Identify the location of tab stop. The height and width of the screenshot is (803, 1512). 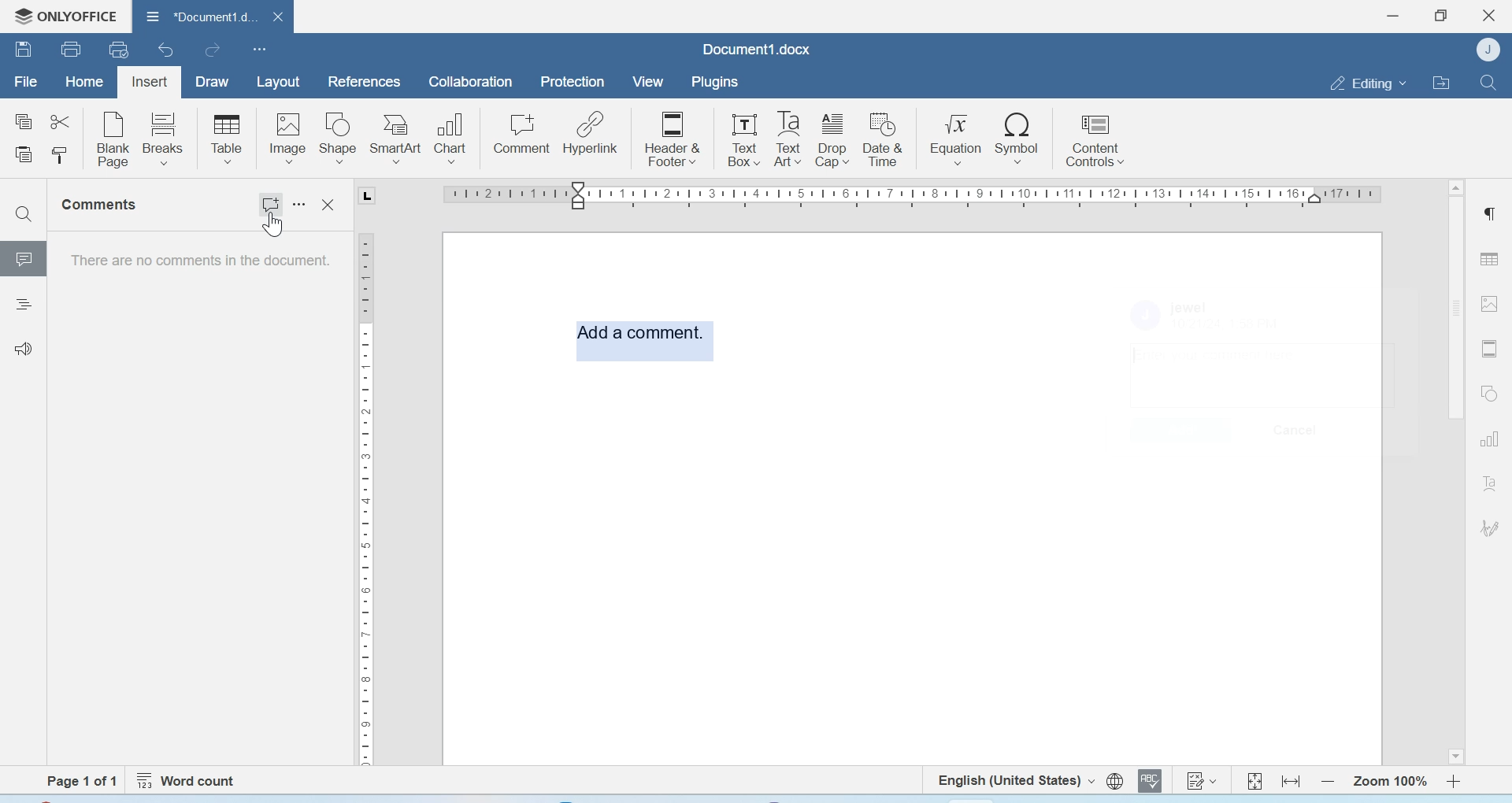
(373, 198).